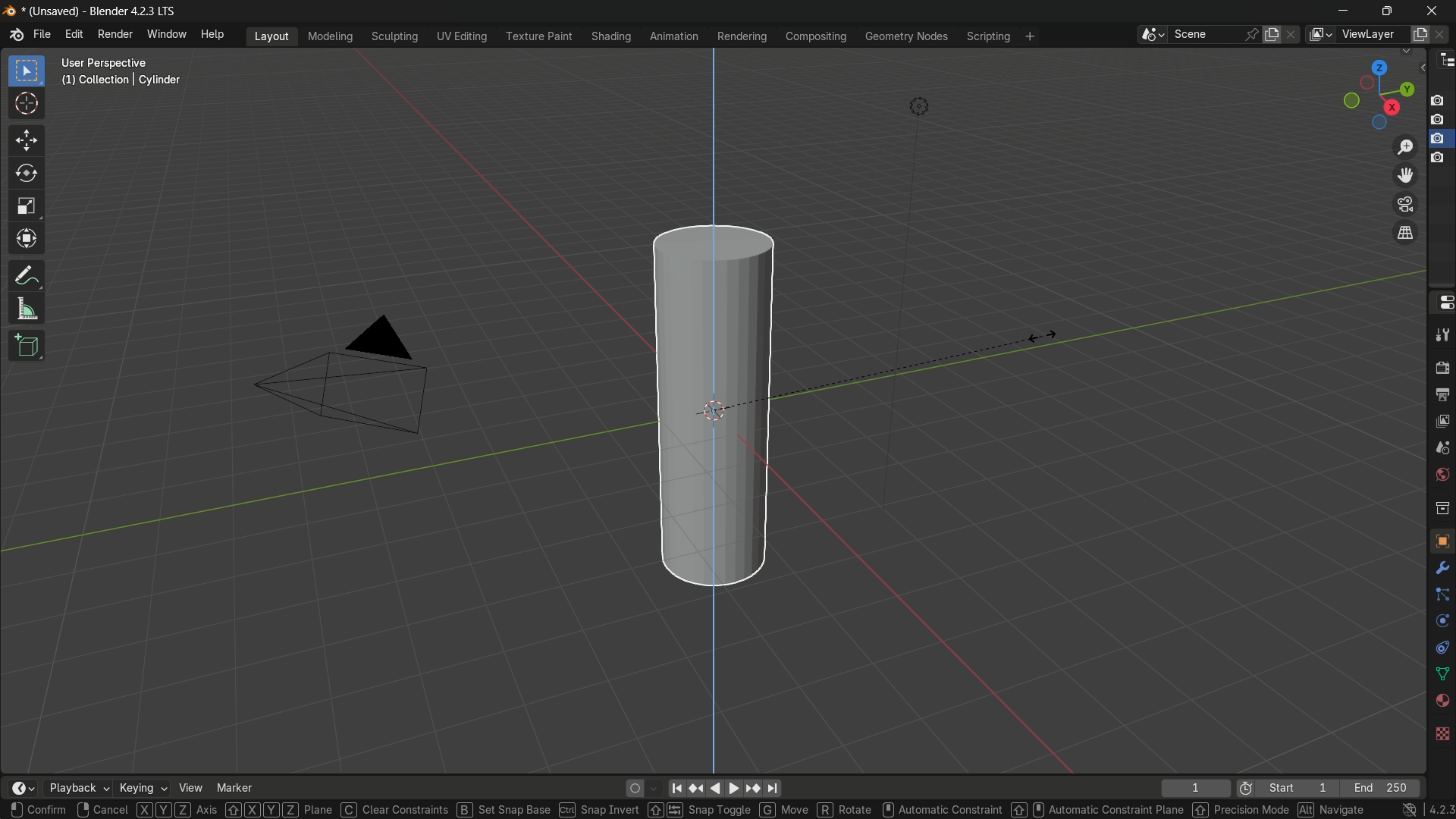 The width and height of the screenshot is (1456, 819). Describe the element at coordinates (1377, 92) in the screenshot. I see `rotate or preset viewpoint` at that location.